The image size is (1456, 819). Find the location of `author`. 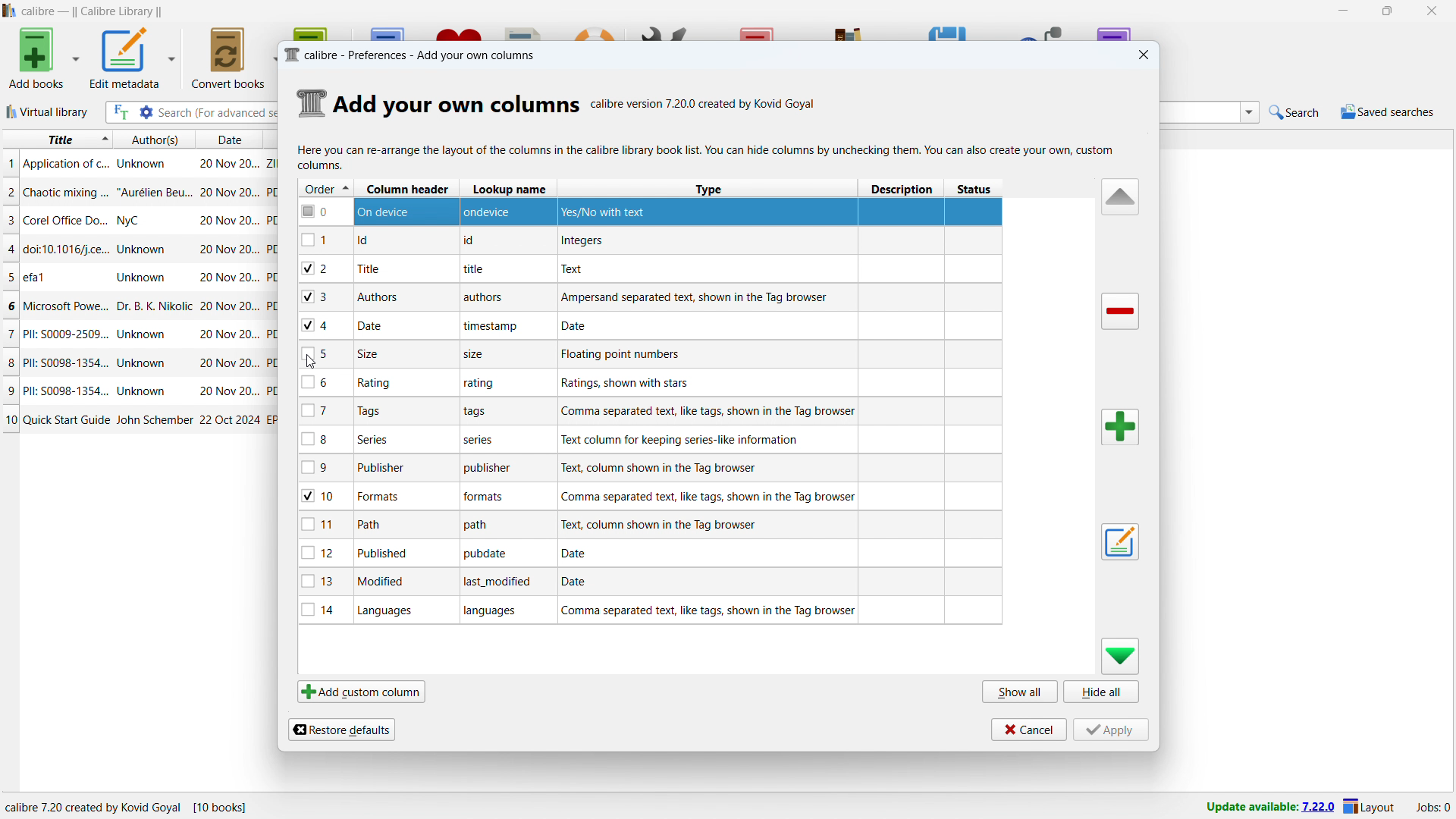

author is located at coordinates (136, 220).